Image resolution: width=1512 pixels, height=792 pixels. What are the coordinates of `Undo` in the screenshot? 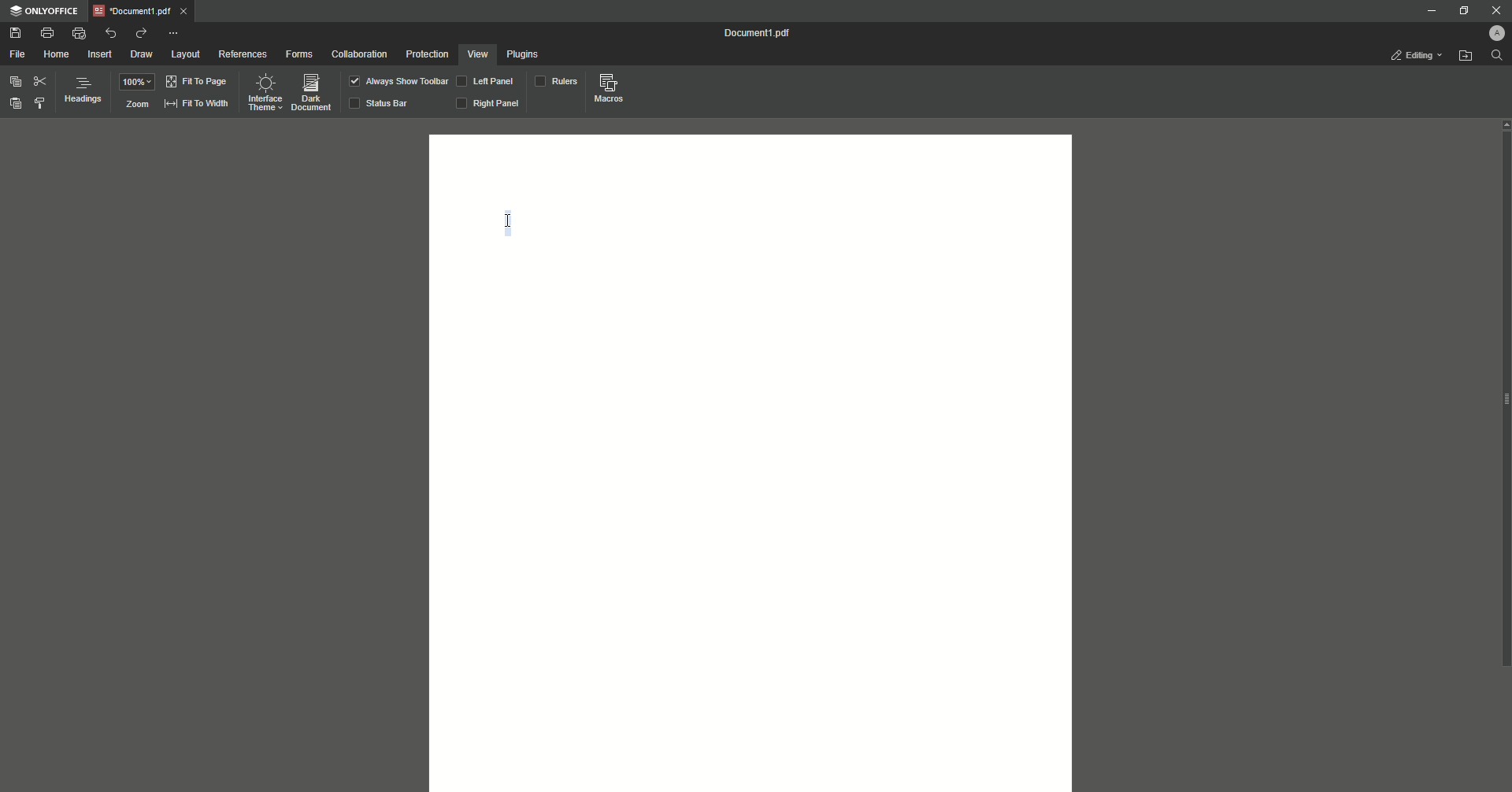 It's located at (109, 33).